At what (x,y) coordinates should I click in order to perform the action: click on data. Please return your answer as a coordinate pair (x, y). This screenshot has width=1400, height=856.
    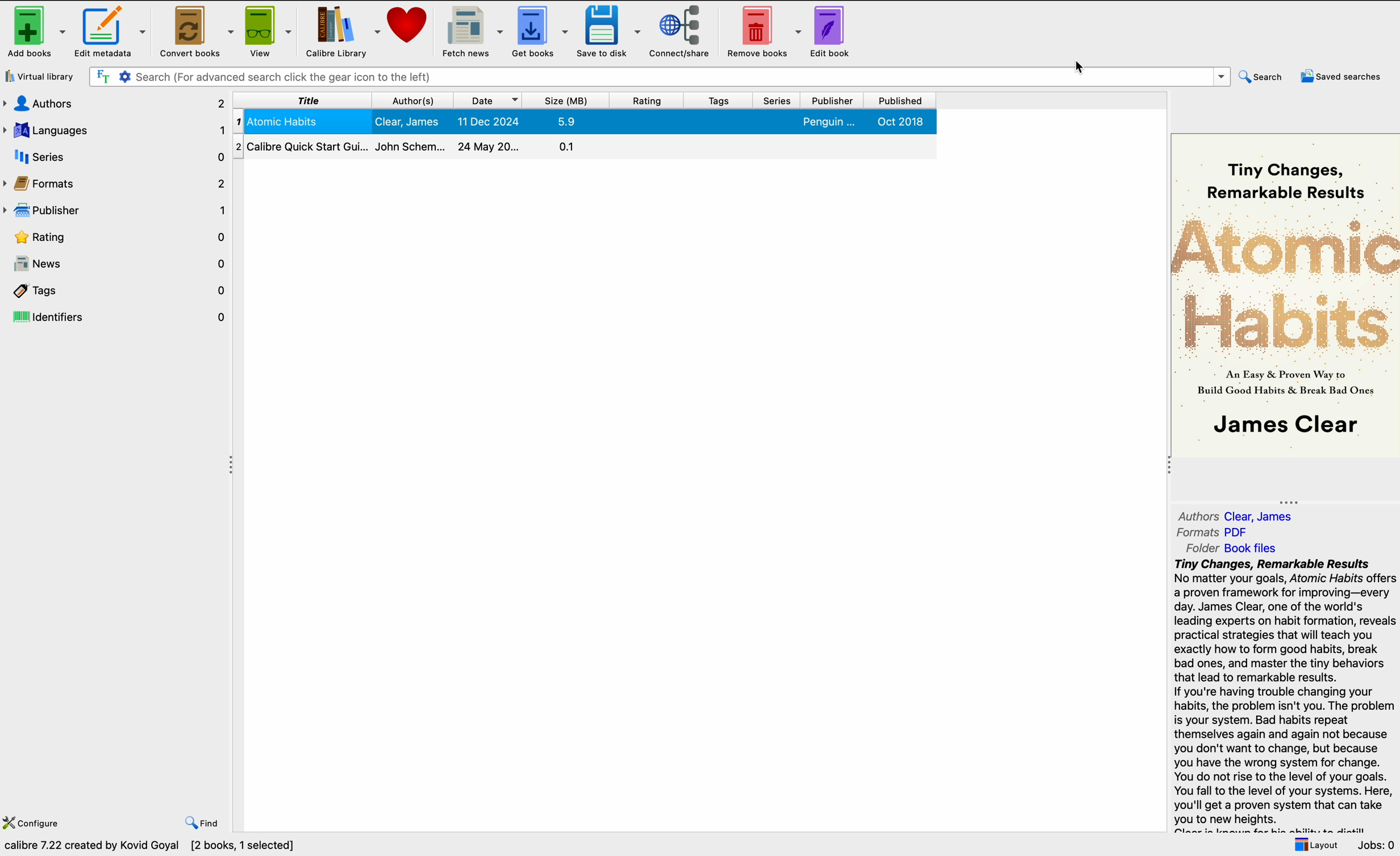
    Looking at the image, I should click on (149, 846).